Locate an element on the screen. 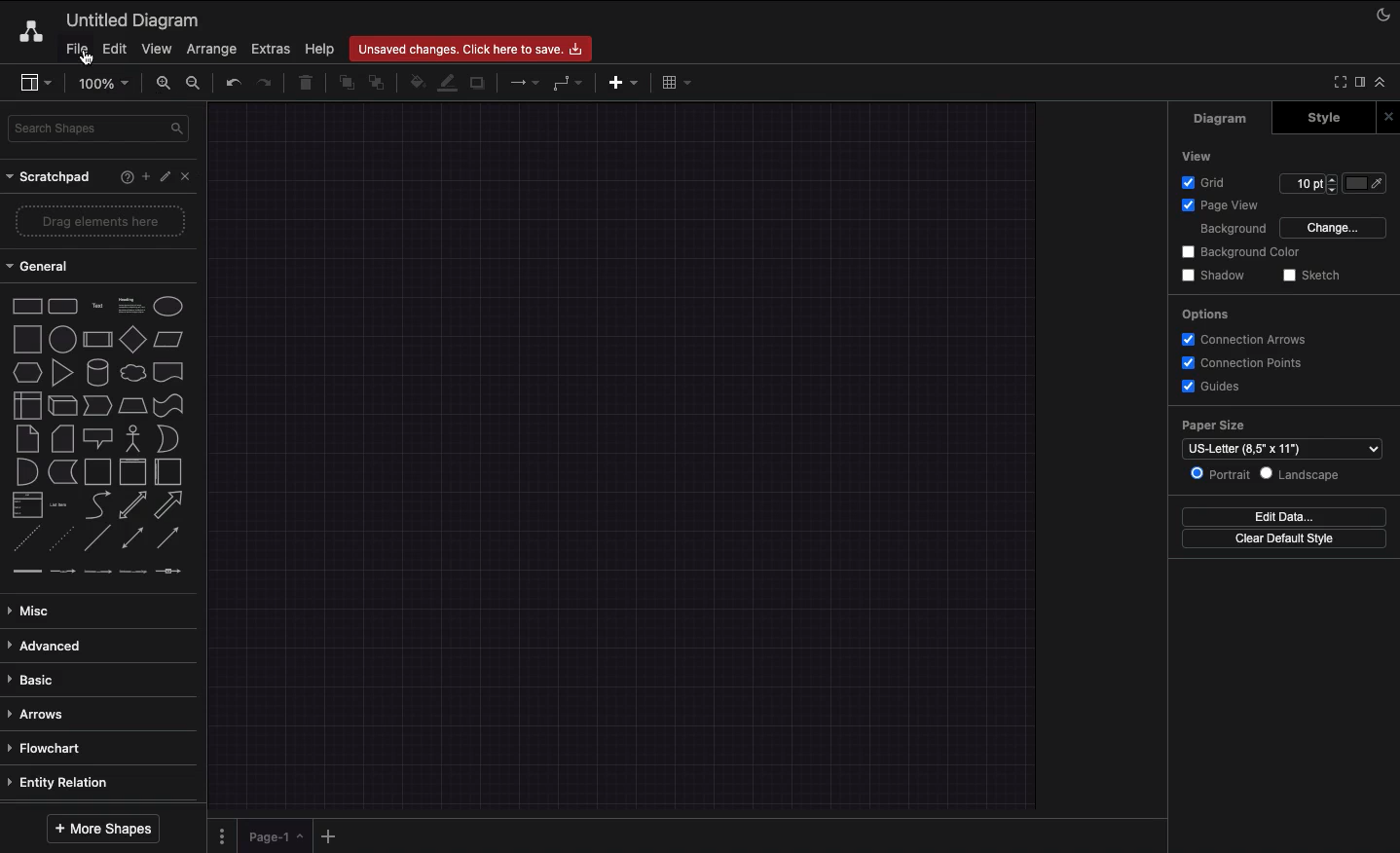 The height and width of the screenshot is (853, 1400). connector 1 is located at coordinates (24, 572).